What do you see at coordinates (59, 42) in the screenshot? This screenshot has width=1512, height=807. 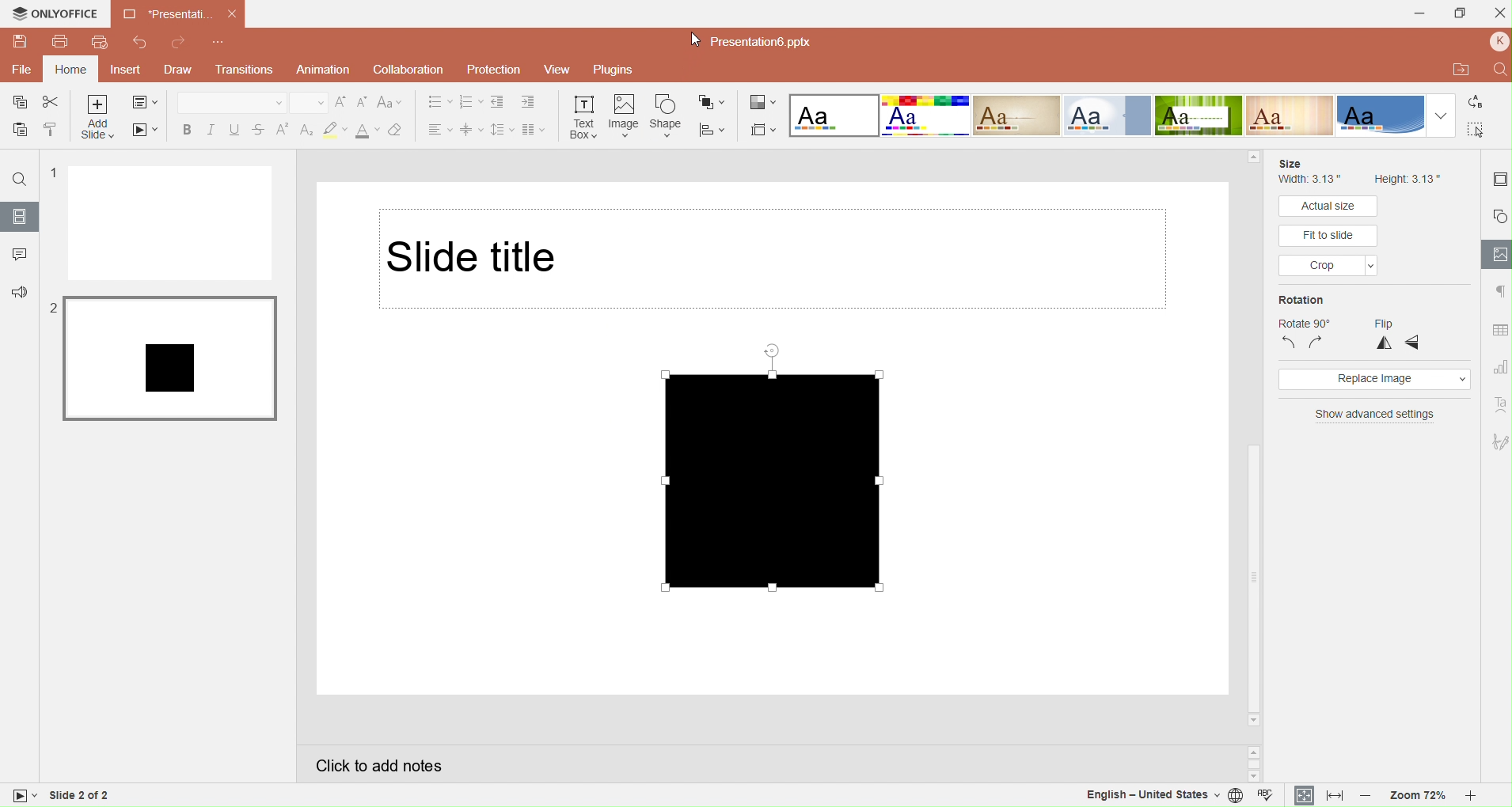 I see `Print file` at bounding box center [59, 42].